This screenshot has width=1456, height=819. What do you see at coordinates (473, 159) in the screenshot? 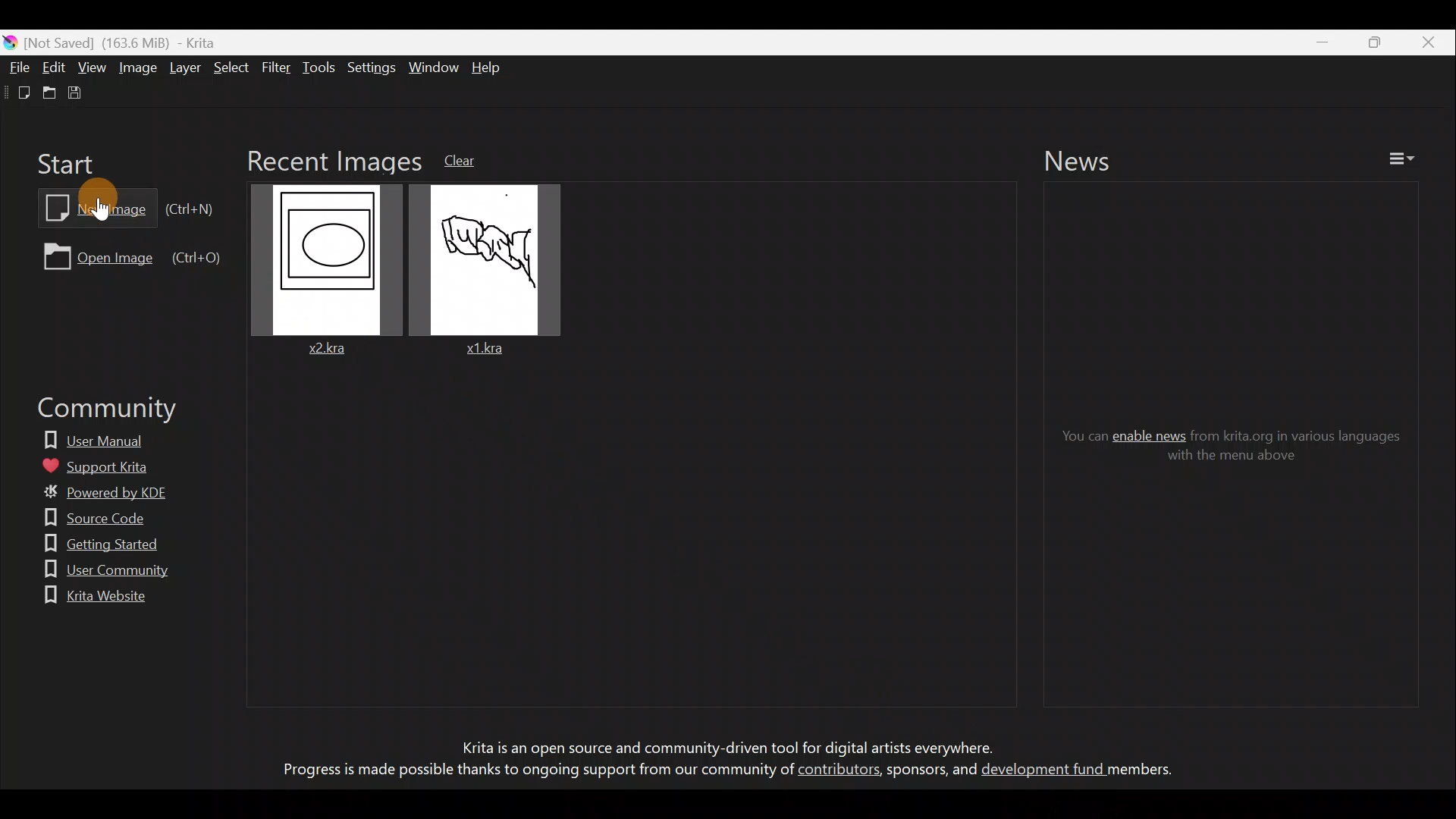
I see `Clear` at bounding box center [473, 159].